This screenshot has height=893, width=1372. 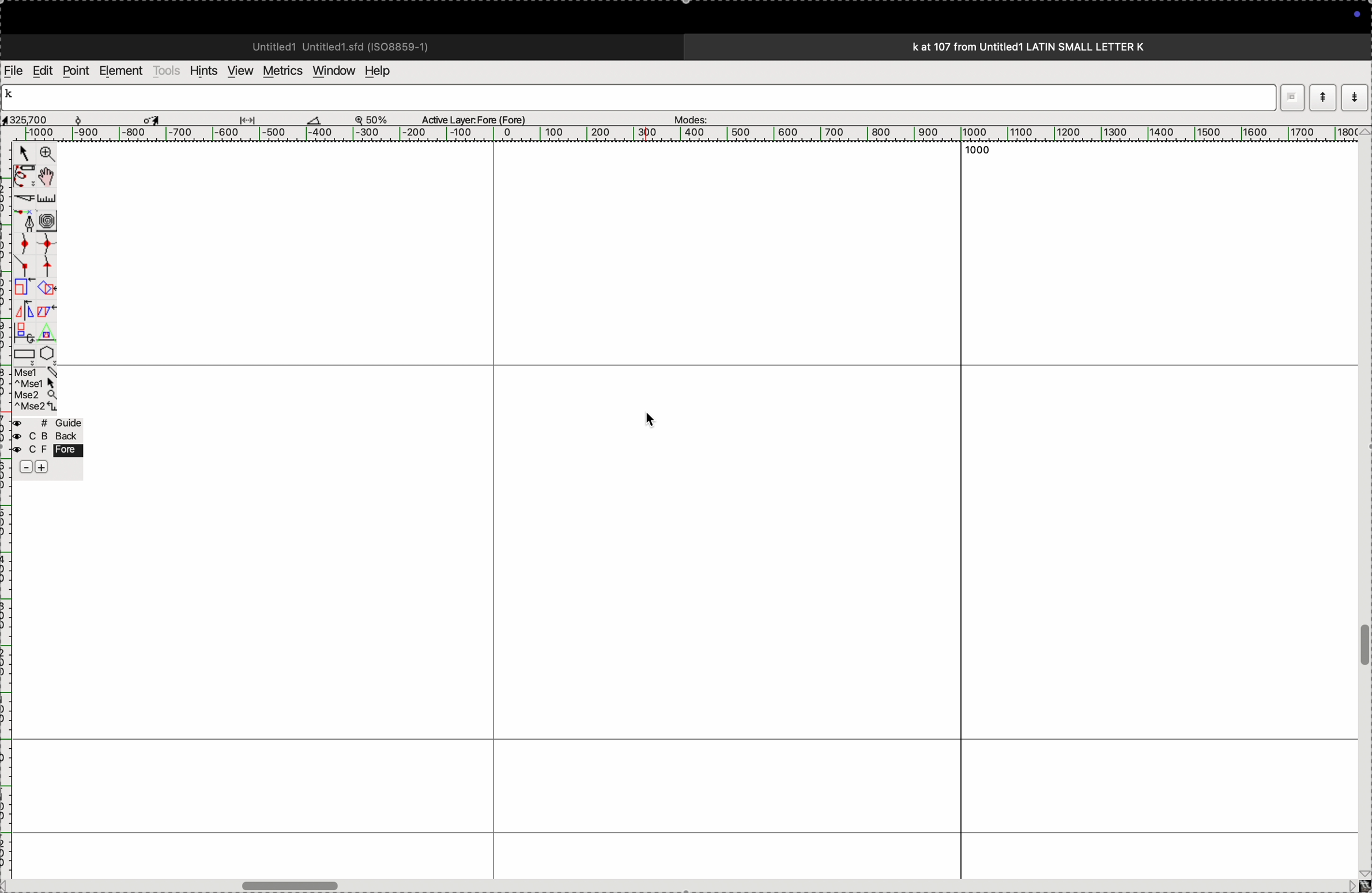 I want to click on circles, so click(x=51, y=220).